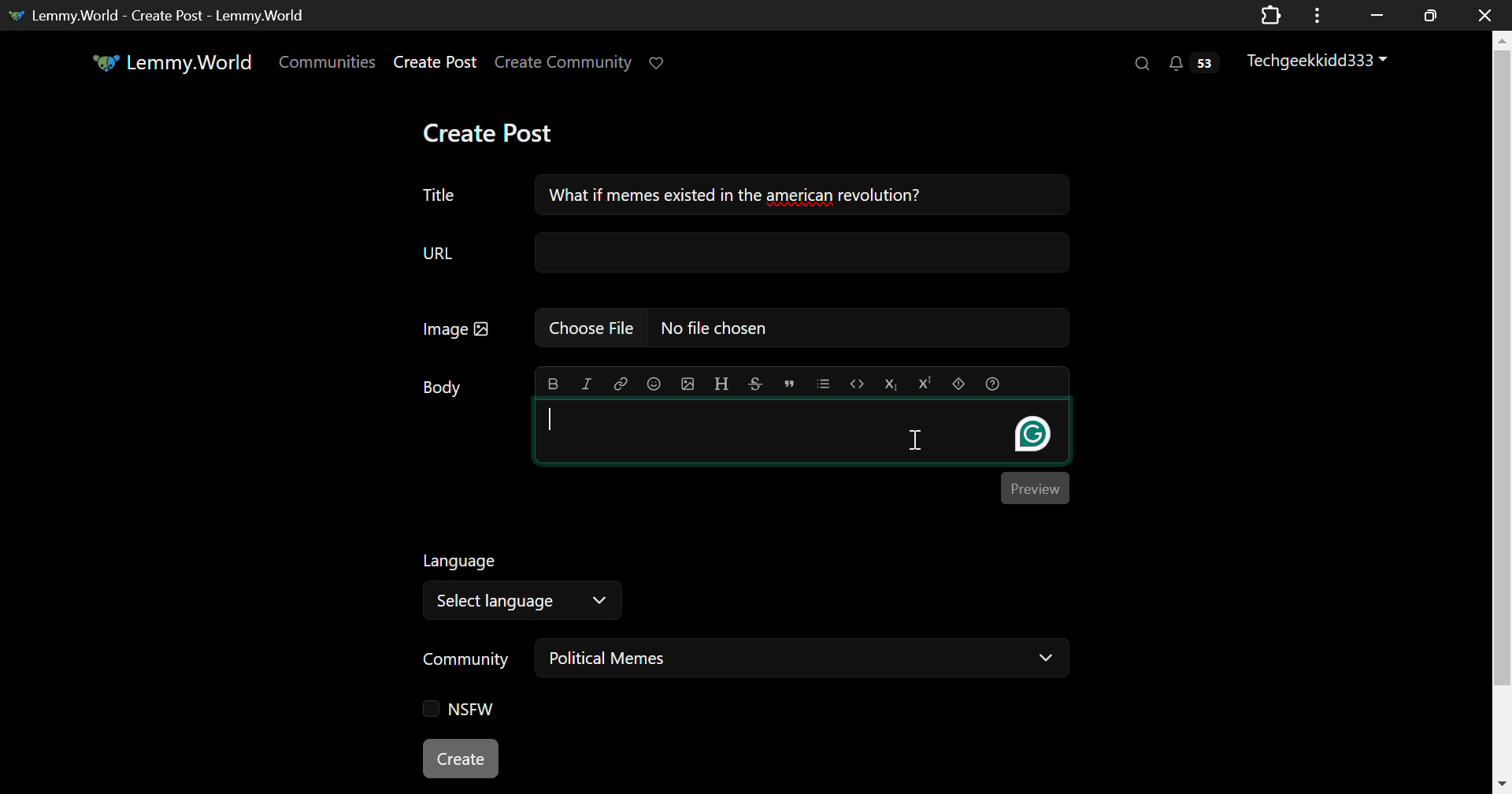 The width and height of the screenshot is (1512, 794). What do you see at coordinates (564, 61) in the screenshot?
I see `Create Community Page Link` at bounding box center [564, 61].